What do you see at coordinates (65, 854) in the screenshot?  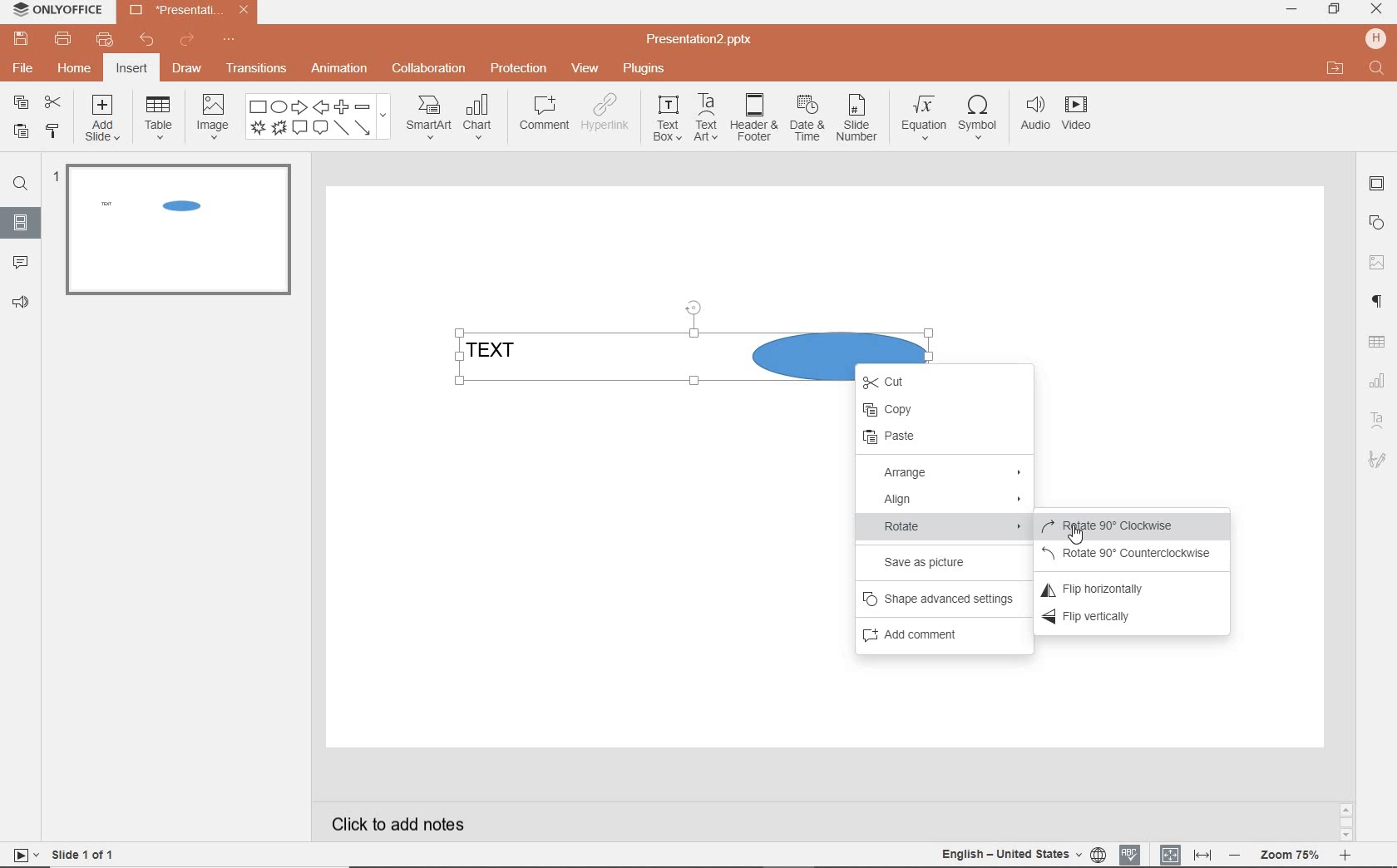 I see `SLIDE 1 OF 1` at bounding box center [65, 854].